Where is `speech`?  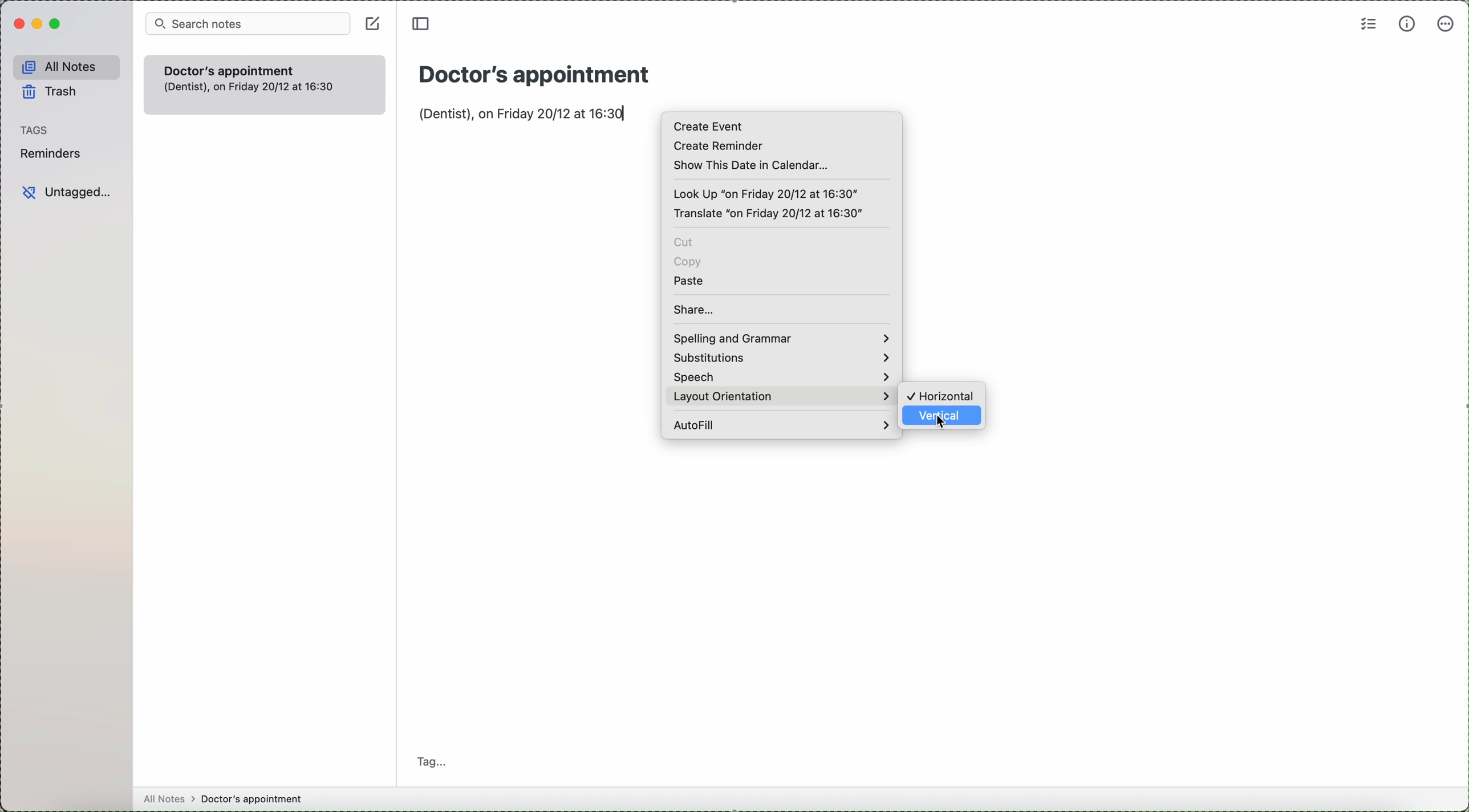 speech is located at coordinates (780, 377).